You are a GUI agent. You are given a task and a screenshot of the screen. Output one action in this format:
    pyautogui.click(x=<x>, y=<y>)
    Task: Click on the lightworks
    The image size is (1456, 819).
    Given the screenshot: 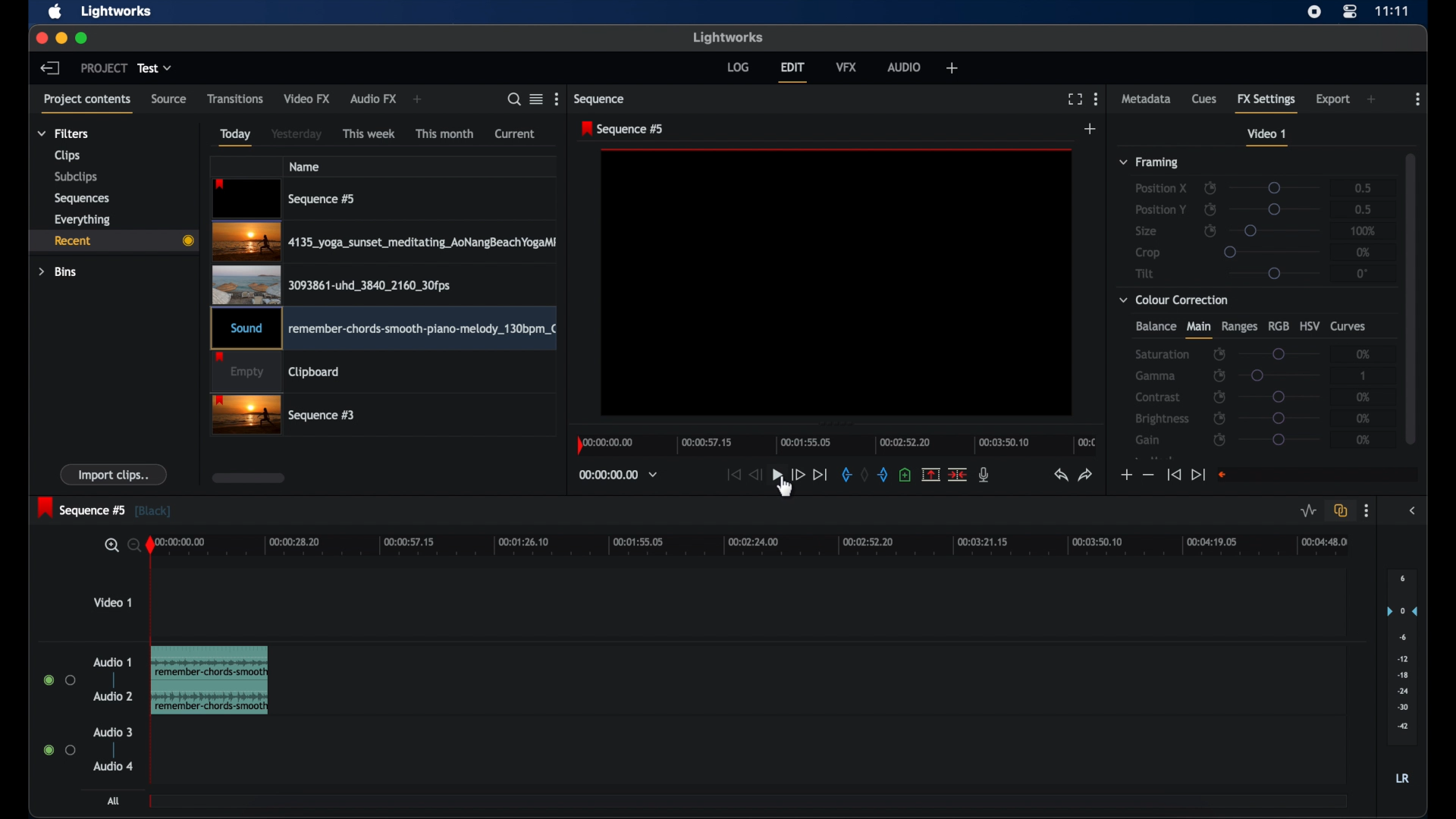 What is the action you would take?
    pyautogui.click(x=118, y=11)
    